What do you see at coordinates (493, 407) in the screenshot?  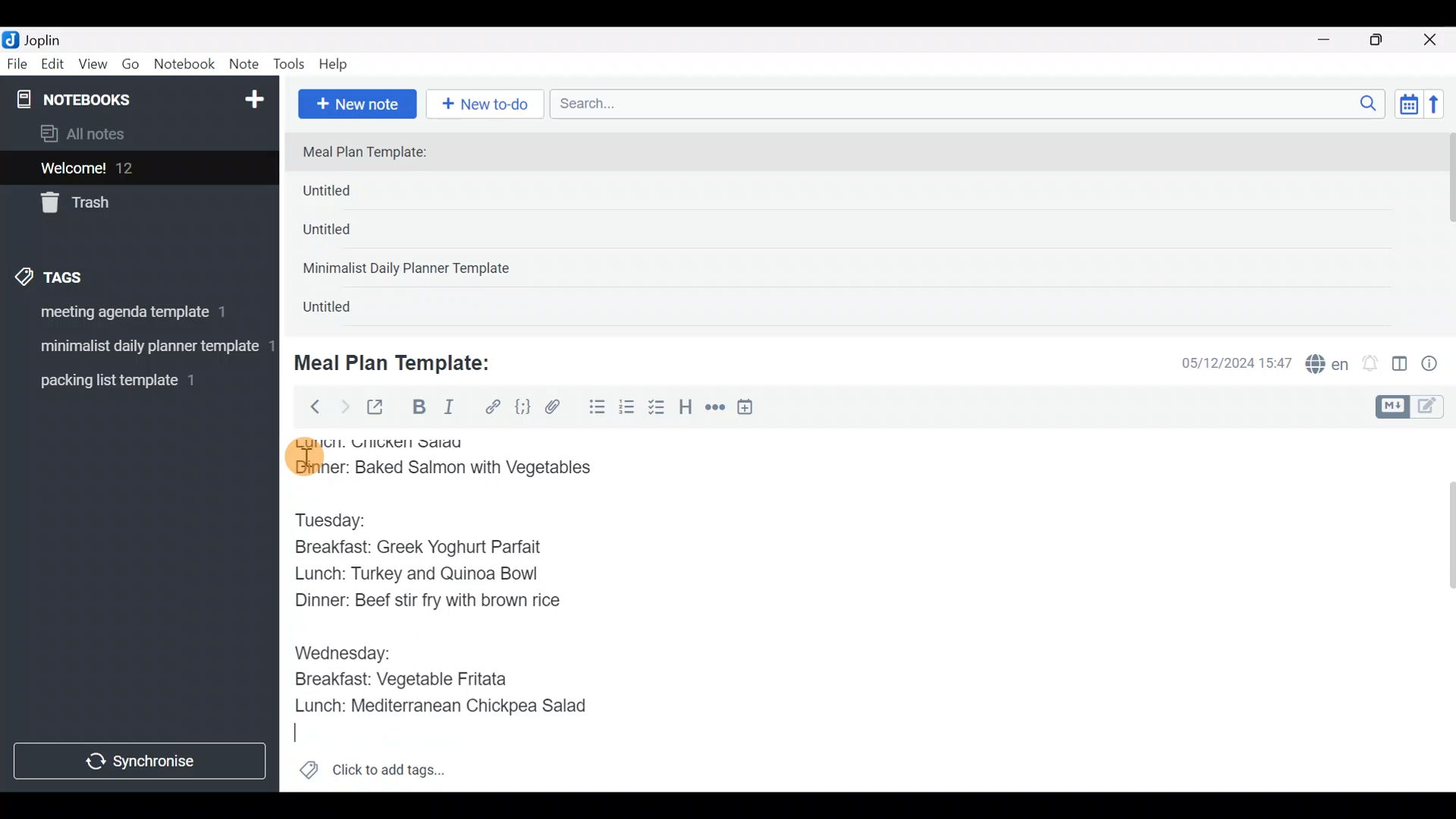 I see `Hyperlink` at bounding box center [493, 407].